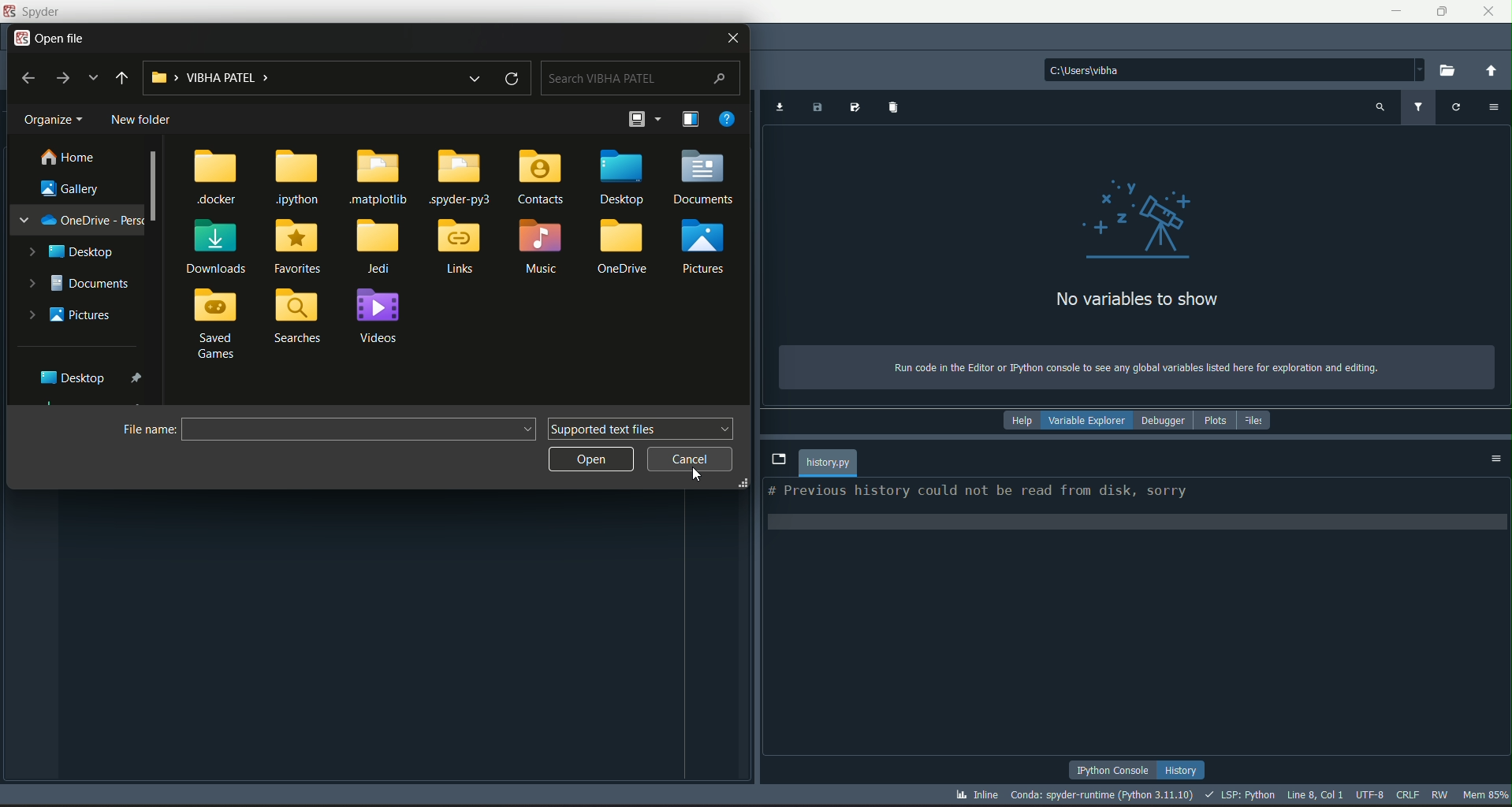 This screenshot has height=807, width=1512. What do you see at coordinates (692, 459) in the screenshot?
I see `cursor` at bounding box center [692, 459].